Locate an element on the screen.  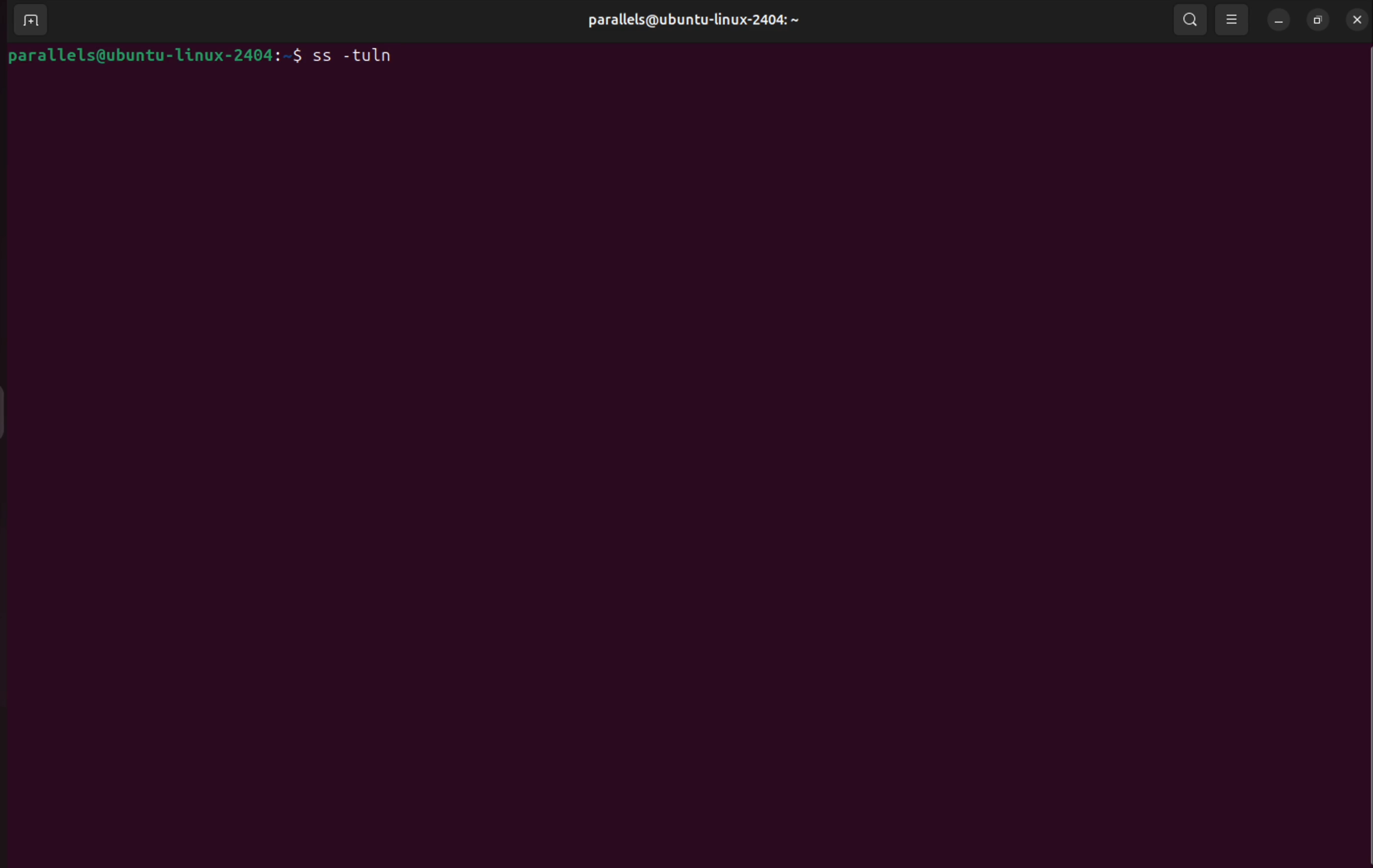
close is located at coordinates (1358, 19).